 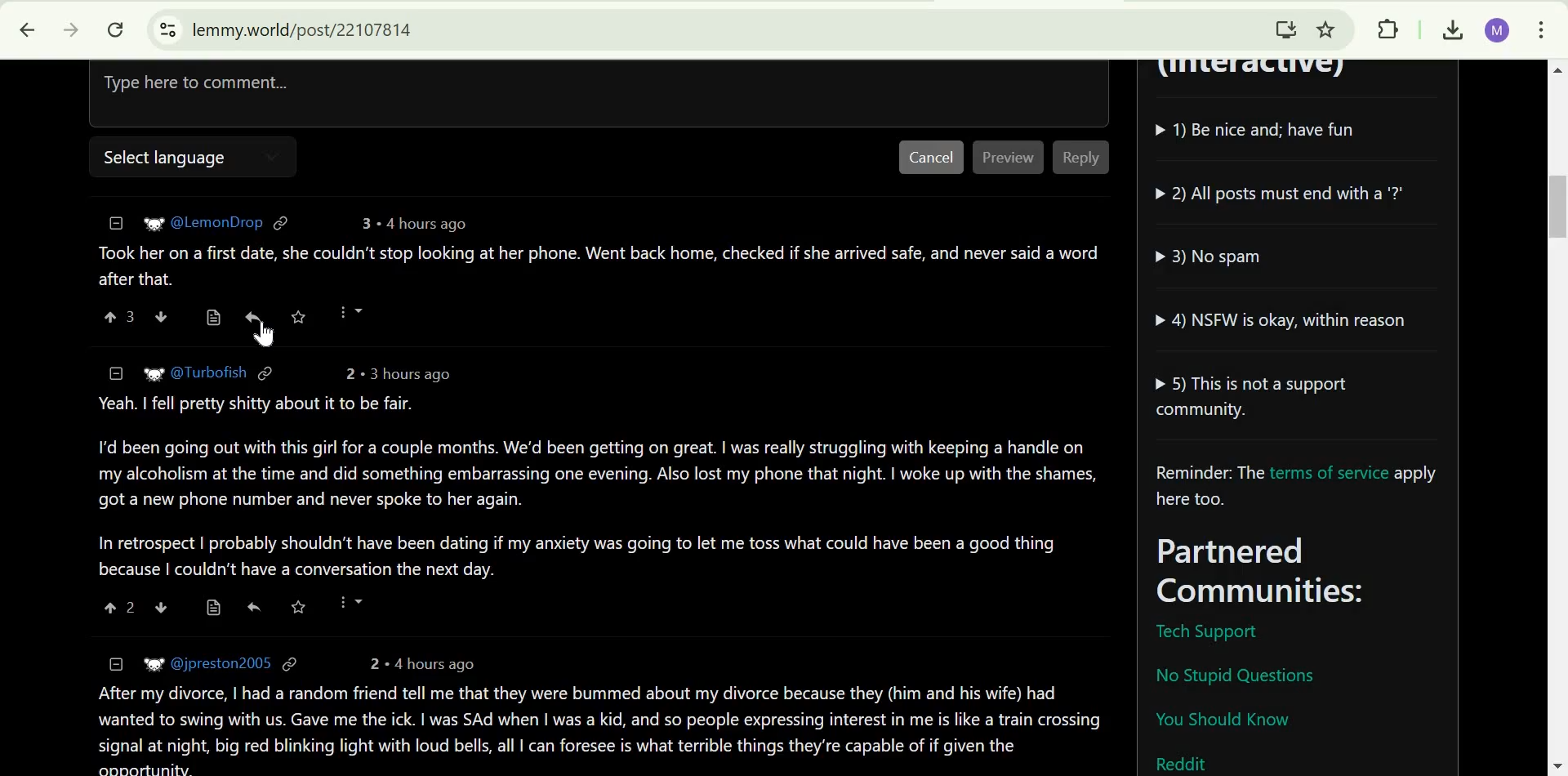 I want to click on Select language, so click(x=160, y=158).